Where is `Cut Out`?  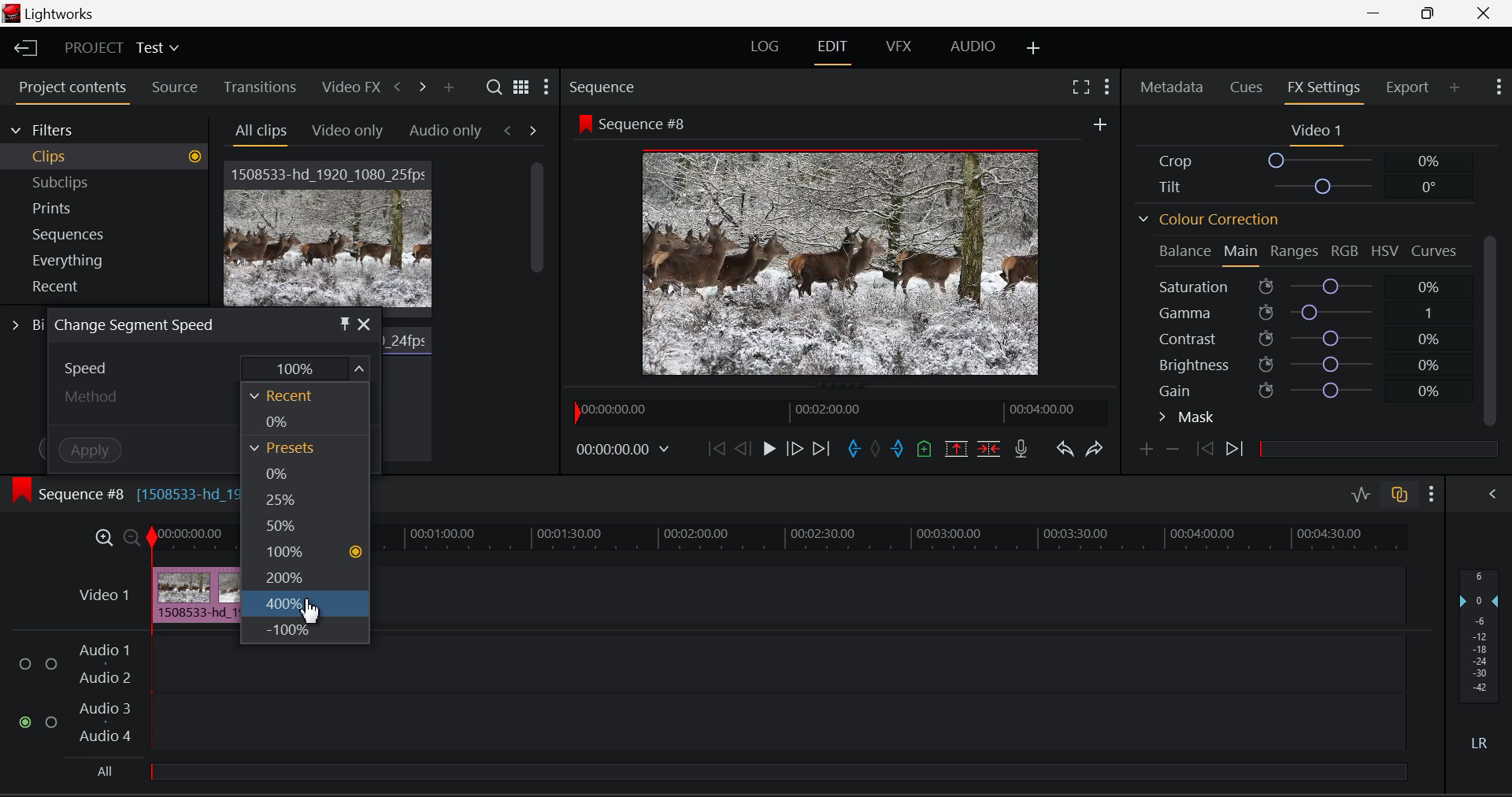 Cut Out is located at coordinates (899, 450).